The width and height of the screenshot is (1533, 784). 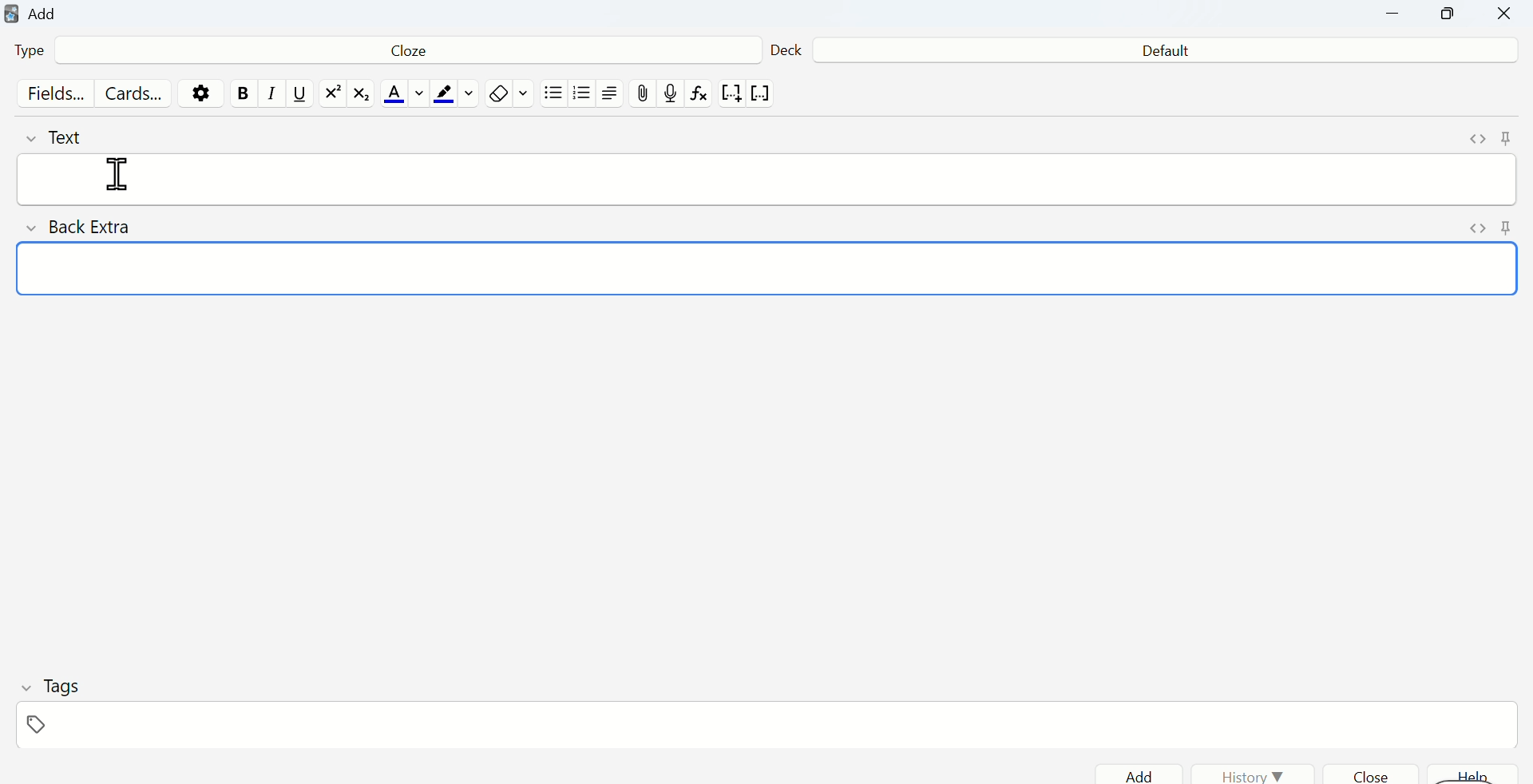 What do you see at coordinates (644, 93) in the screenshot?
I see `Attach` at bounding box center [644, 93].